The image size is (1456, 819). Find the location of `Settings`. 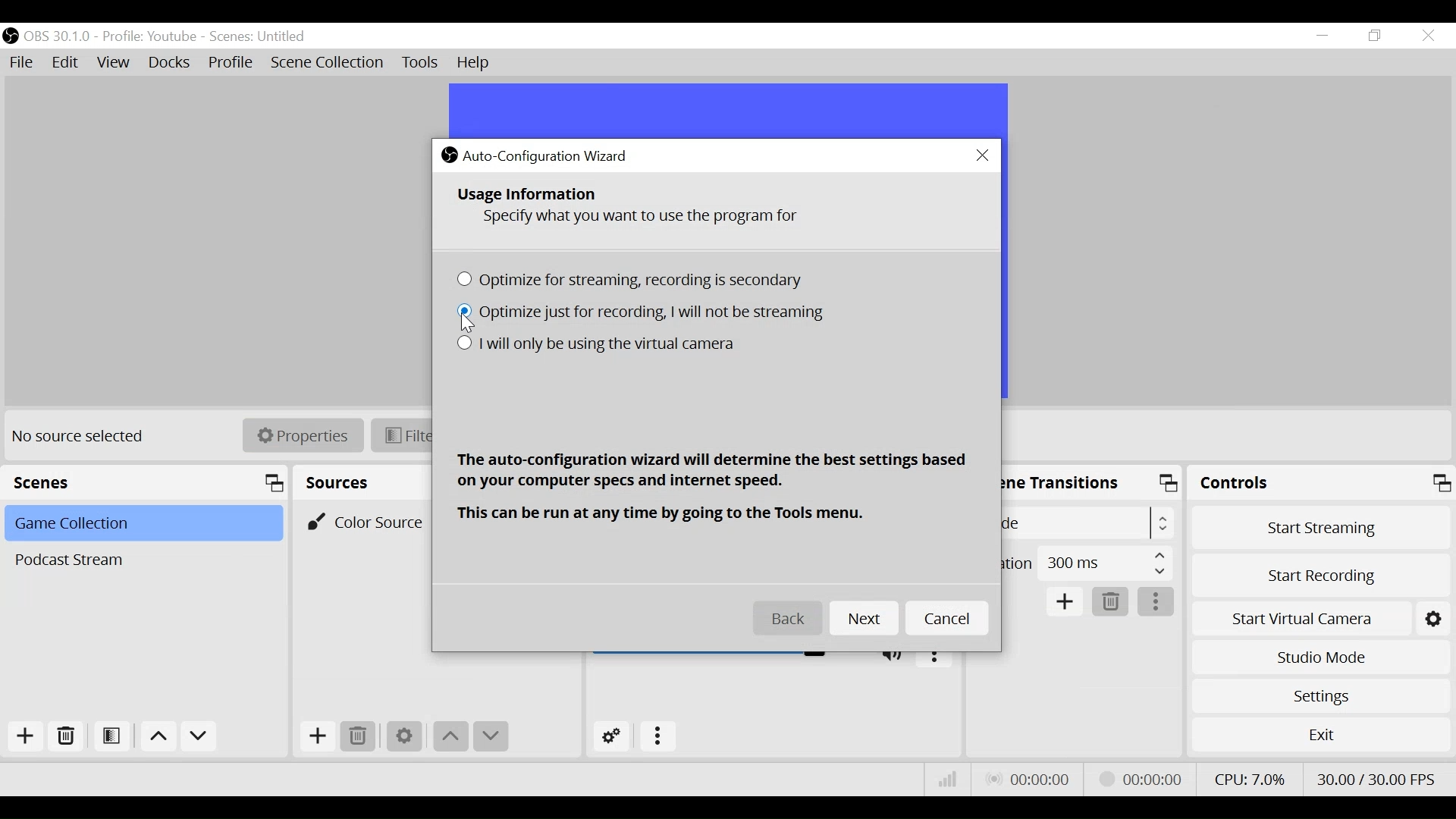

Settings is located at coordinates (1318, 696).